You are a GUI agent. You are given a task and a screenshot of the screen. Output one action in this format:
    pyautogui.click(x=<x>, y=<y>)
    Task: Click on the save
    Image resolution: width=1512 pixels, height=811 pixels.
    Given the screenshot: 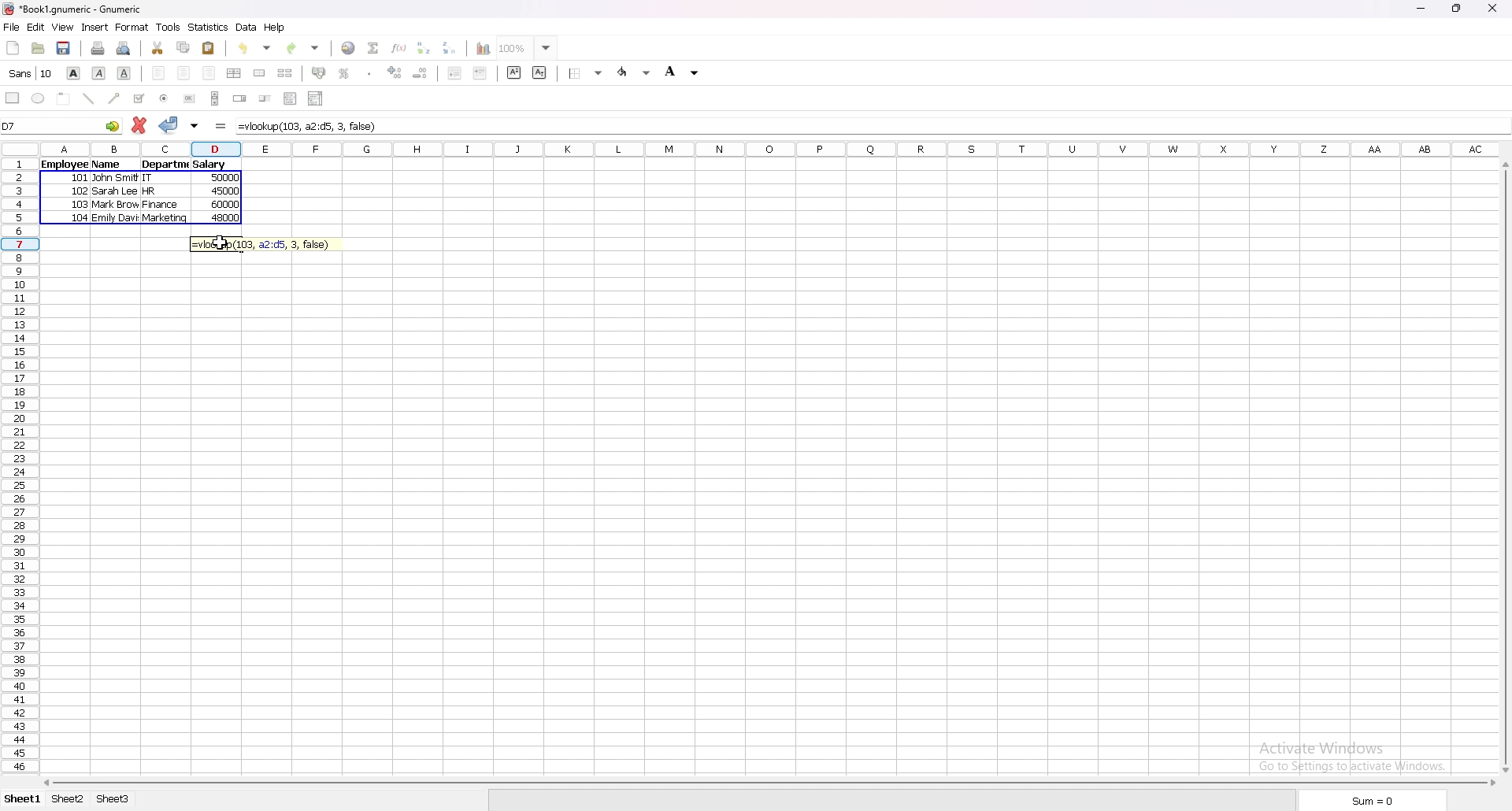 What is the action you would take?
    pyautogui.click(x=64, y=49)
    